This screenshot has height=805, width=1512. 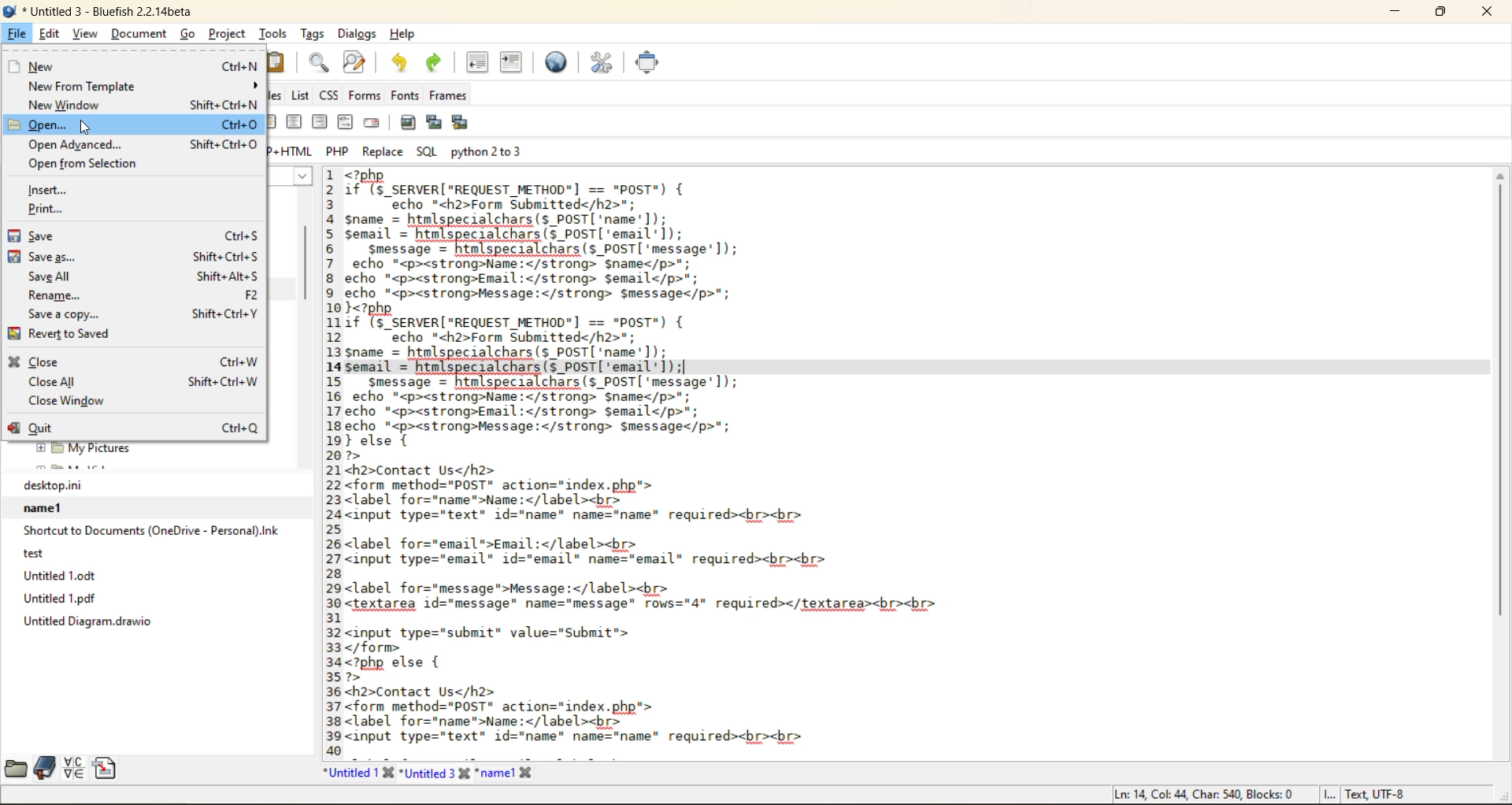 What do you see at coordinates (330, 95) in the screenshot?
I see `css` at bounding box center [330, 95].